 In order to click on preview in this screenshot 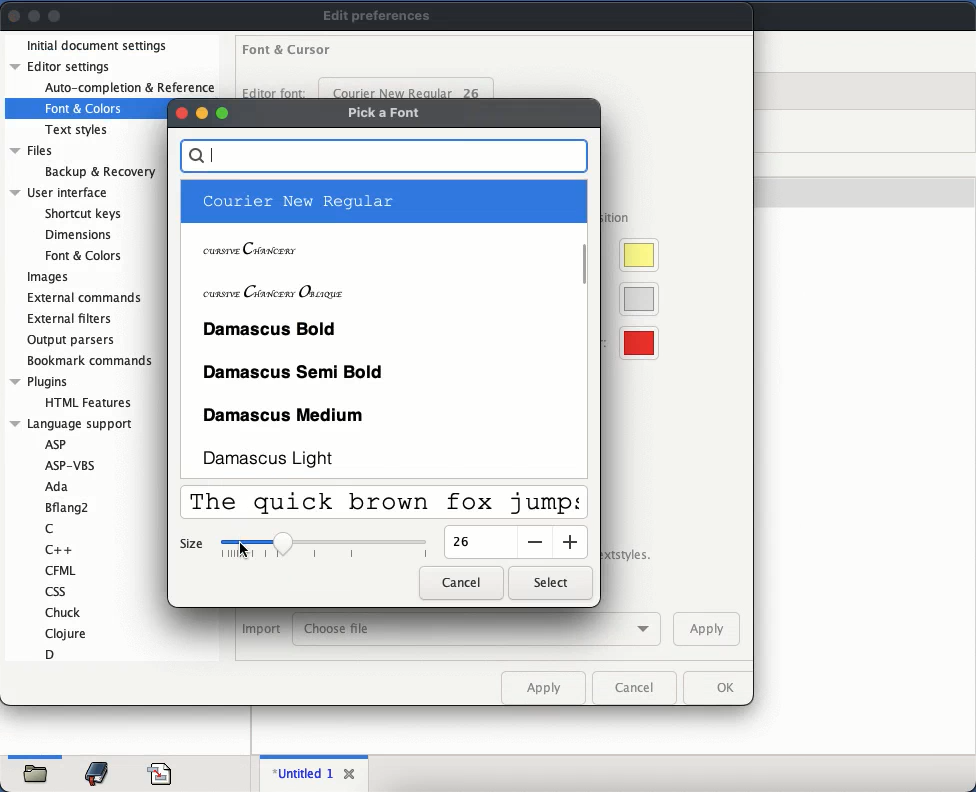, I will do `click(385, 504)`.